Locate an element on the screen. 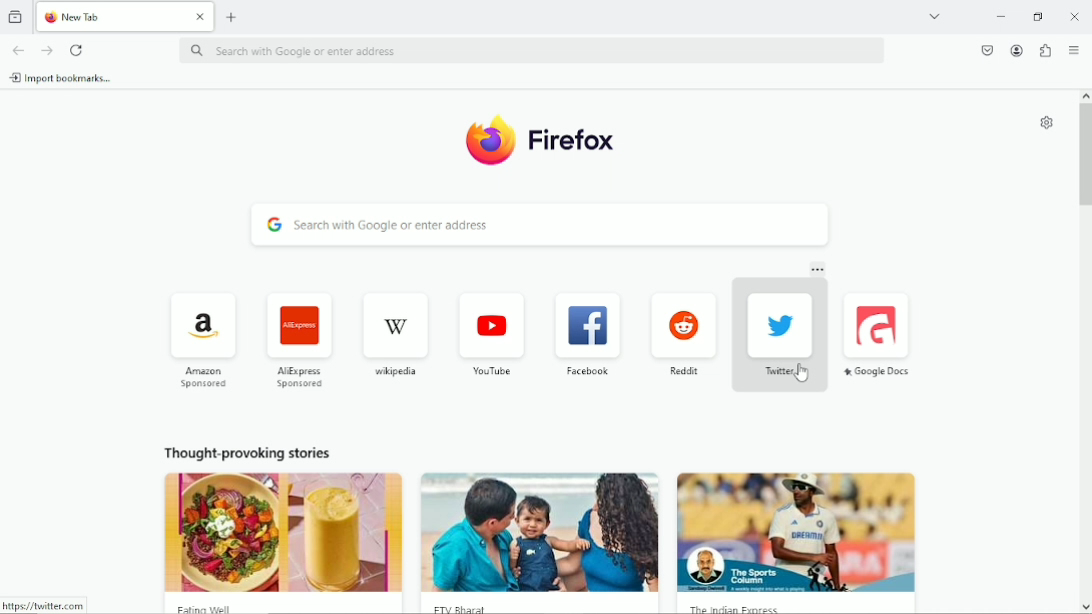 Image resolution: width=1092 pixels, height=614 pixels. More is located at coordinates (818, 271).